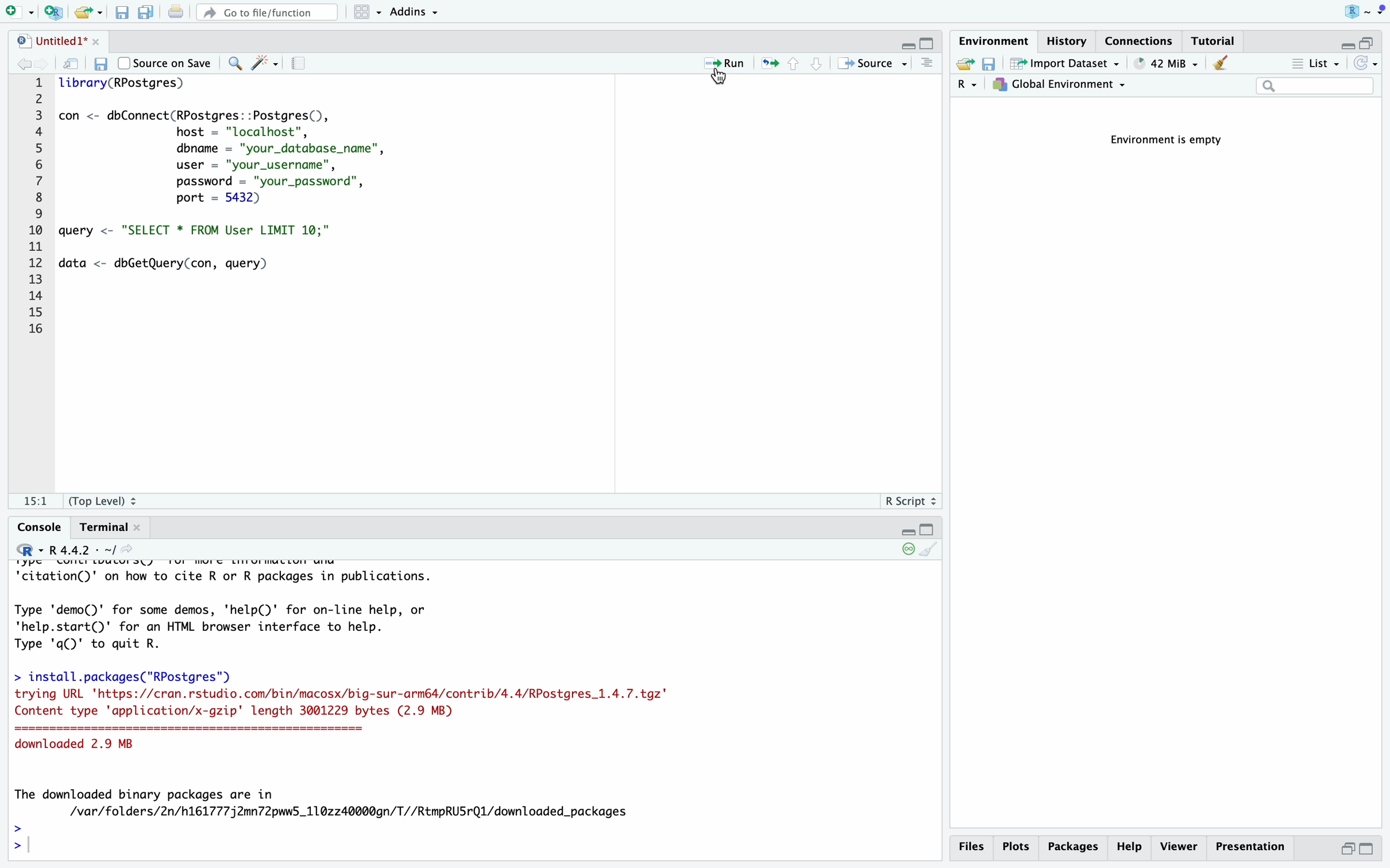 The height and width of the screenshot is (868, 1390). What do you see at coordinates (964, 65) in the screenshot?
I see `load workspace` at bounding box center [964, 65].